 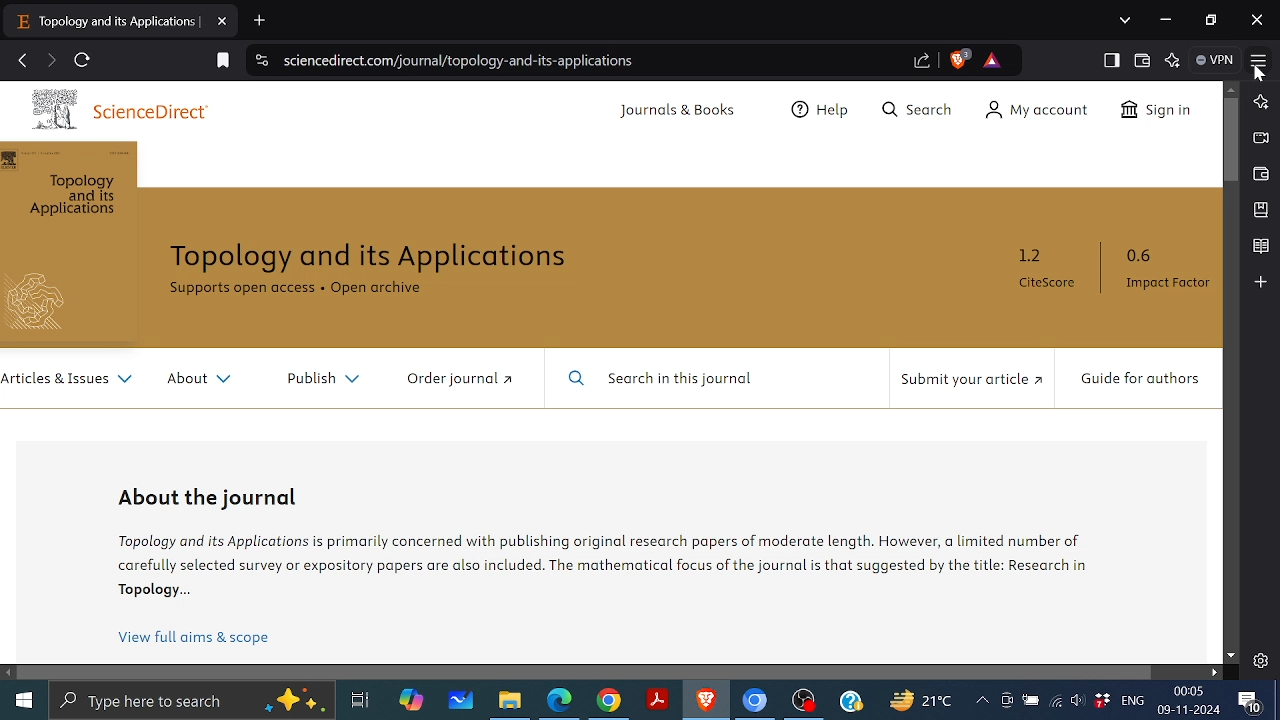 What do you see at coordinates (205, 639) in the screenshot?
I see `View full aims & scope` at bounding box center [205, 639].